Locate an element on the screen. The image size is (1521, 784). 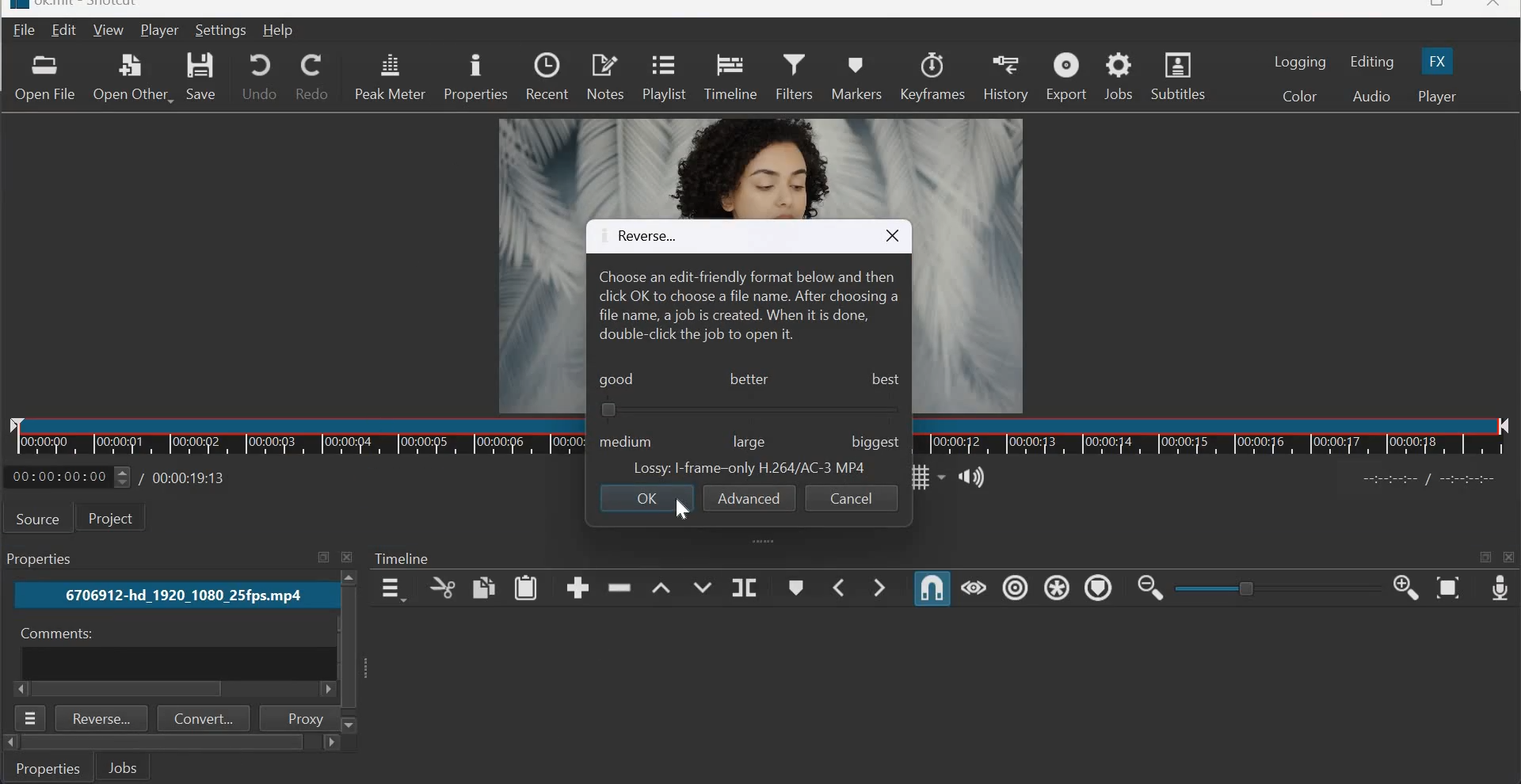
reverse is located at coordinates (102, 718).